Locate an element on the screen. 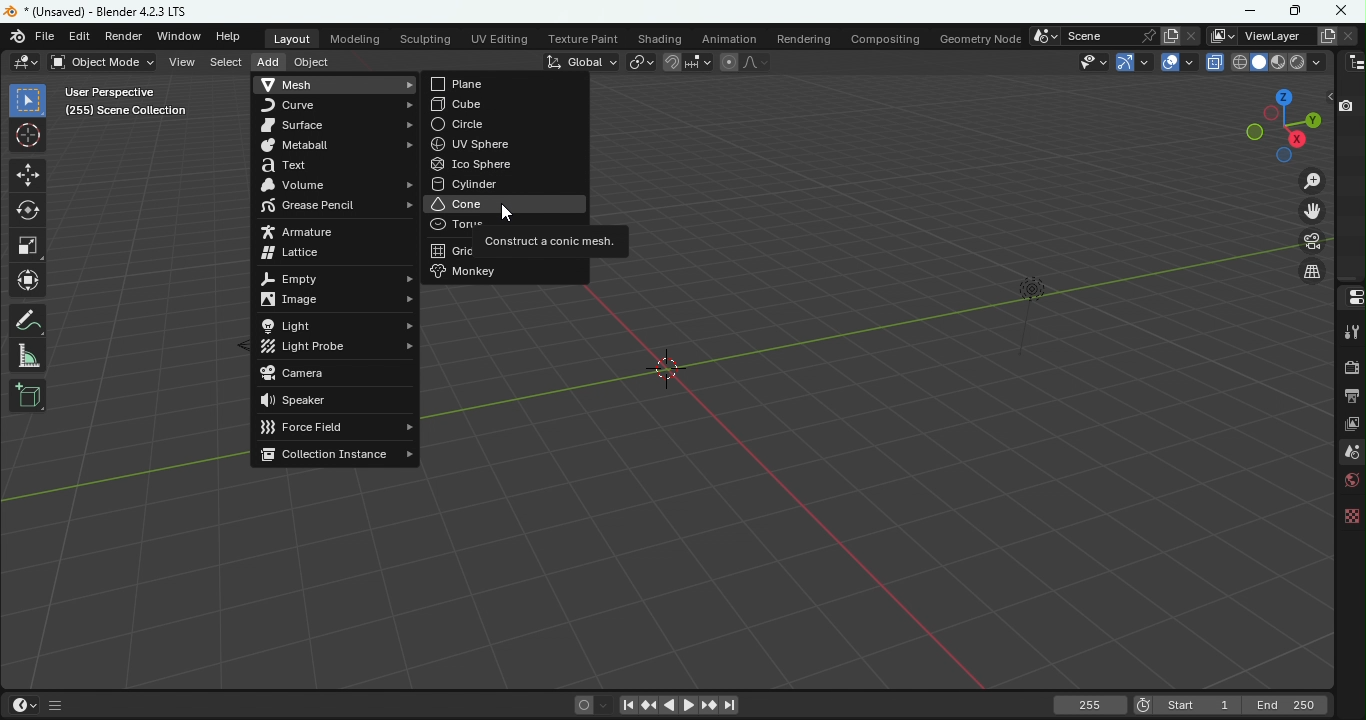 The image size is (1366, 720). Name is located at coordinates (1097, 36).